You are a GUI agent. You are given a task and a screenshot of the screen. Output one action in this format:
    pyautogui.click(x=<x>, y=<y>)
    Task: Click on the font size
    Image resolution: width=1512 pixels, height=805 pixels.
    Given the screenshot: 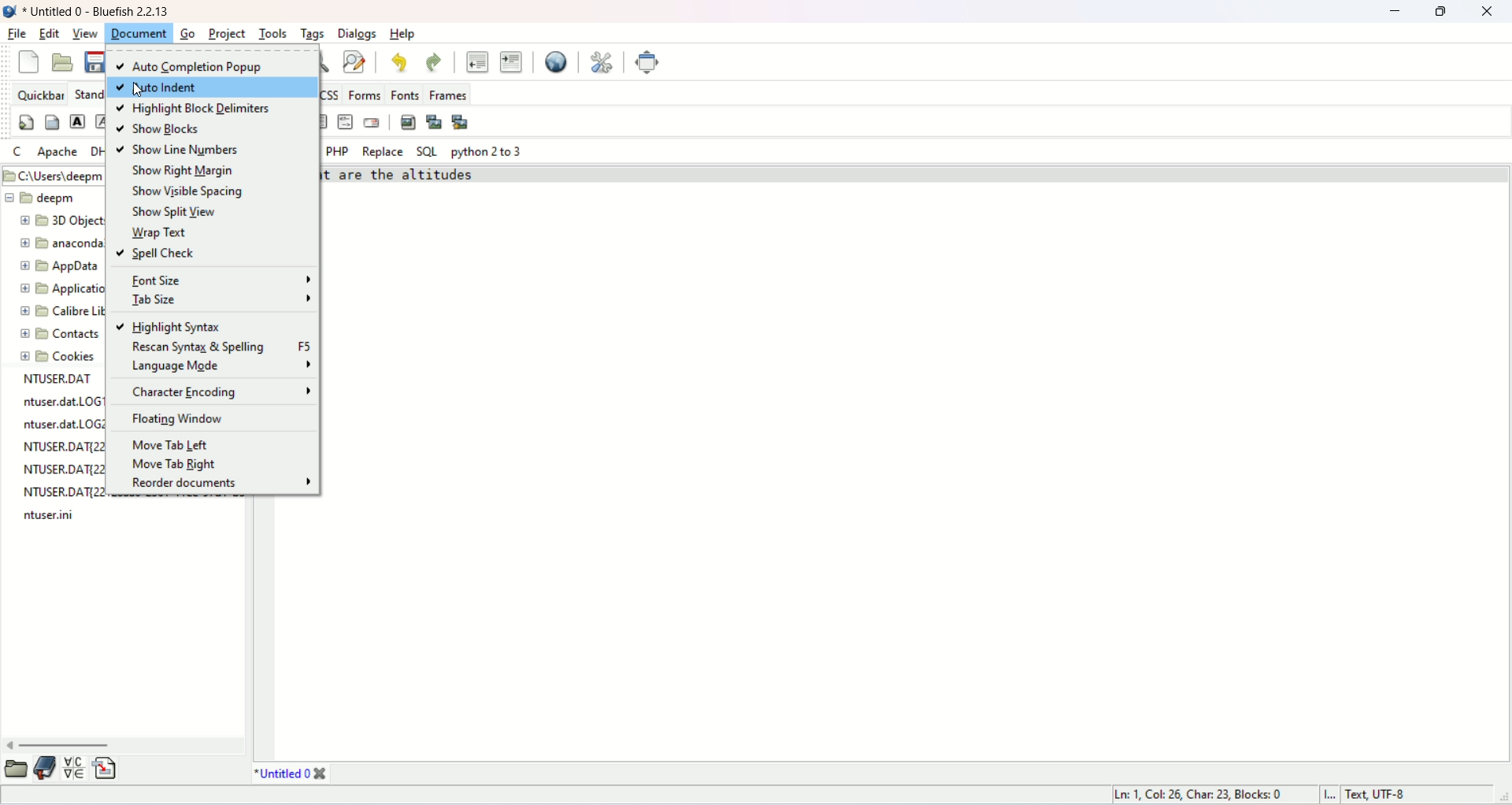 What is the action you would take?
    pyautogui.click(x=221, y=280)
    